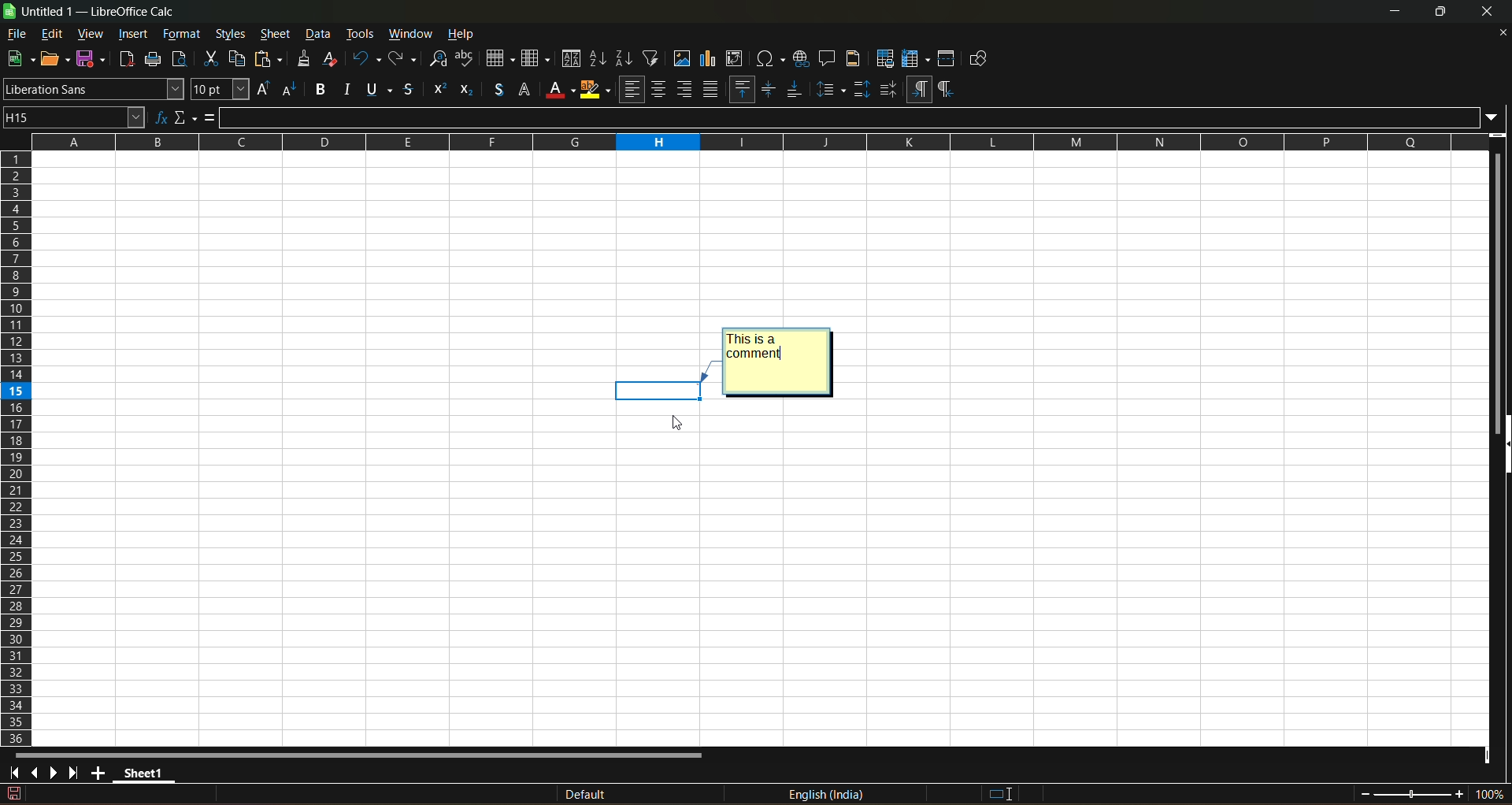 This screenshot has height=805, width=1512. Describe the element at coordinates (1503, 33) in the screenshot. I see `close document` at that location.